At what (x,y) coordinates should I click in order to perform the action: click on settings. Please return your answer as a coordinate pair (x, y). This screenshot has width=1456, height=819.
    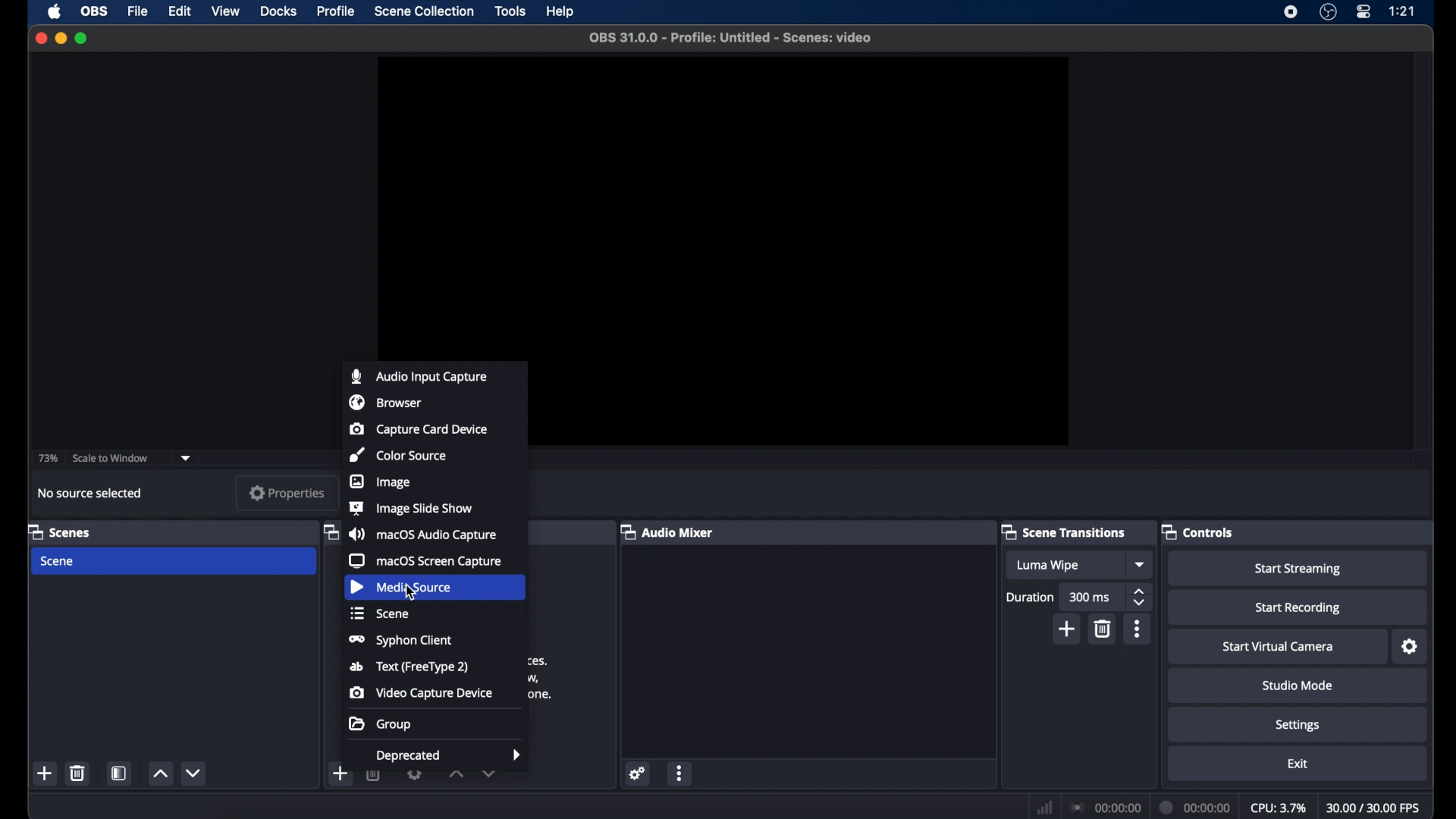
    Looking at the image, I should click on (414, 777).